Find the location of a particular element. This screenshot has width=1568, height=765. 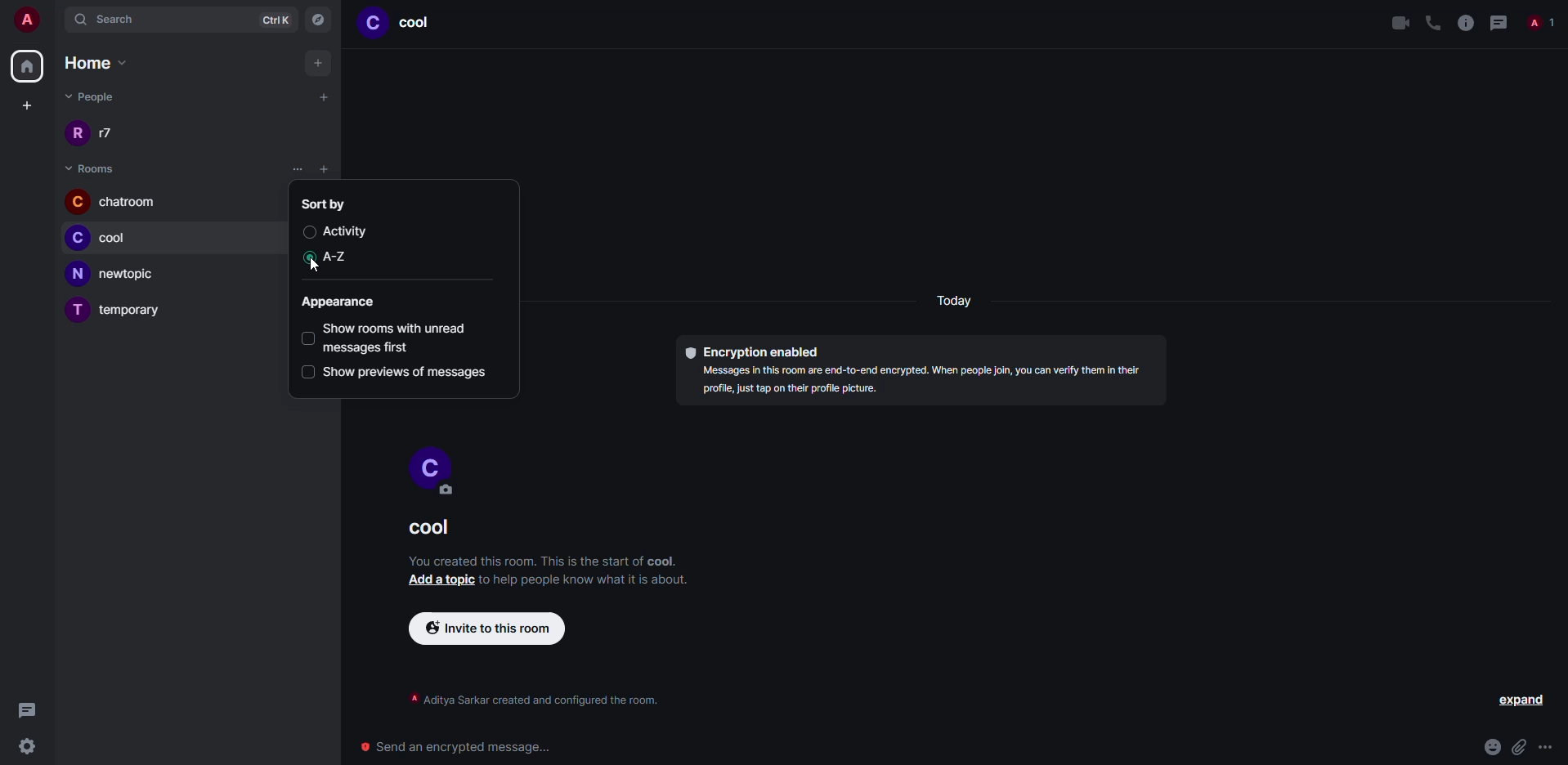

select is located at coordinates (307, 338).